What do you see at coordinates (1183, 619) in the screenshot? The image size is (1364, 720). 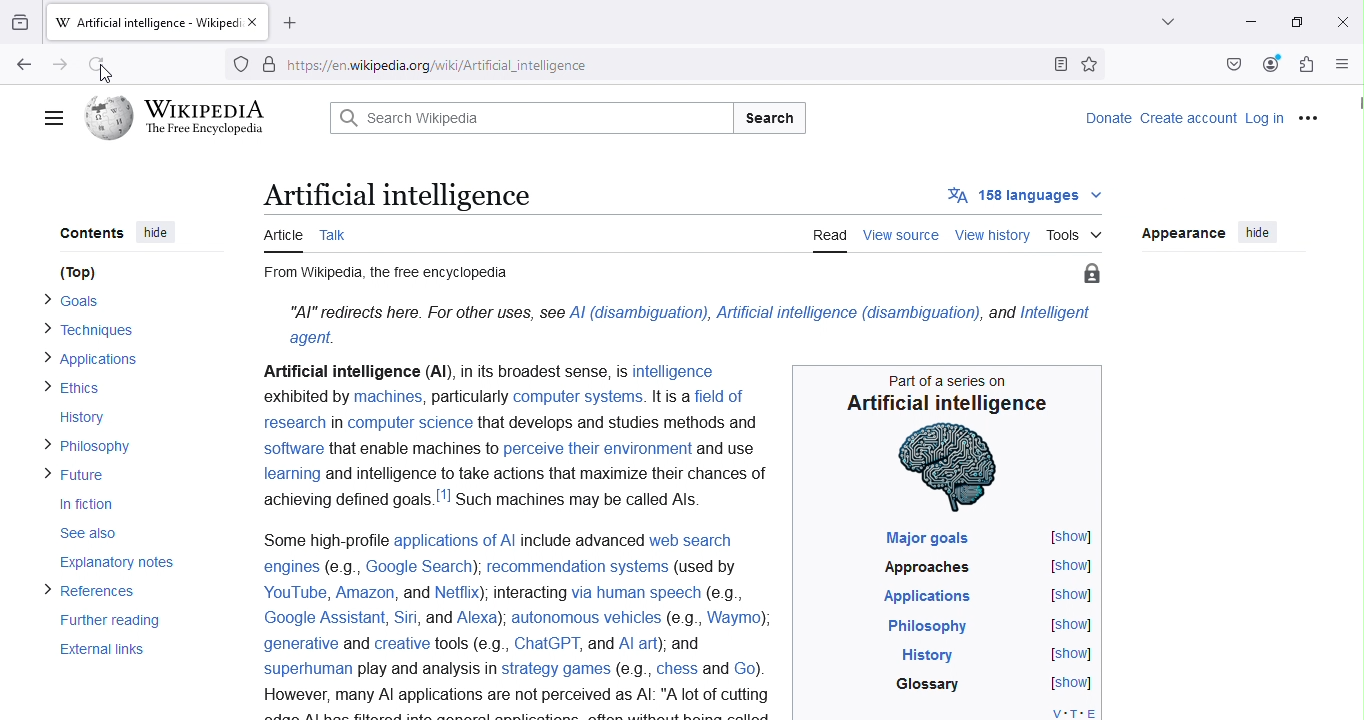 I see `Dark` at bounding box center [1183, 619].